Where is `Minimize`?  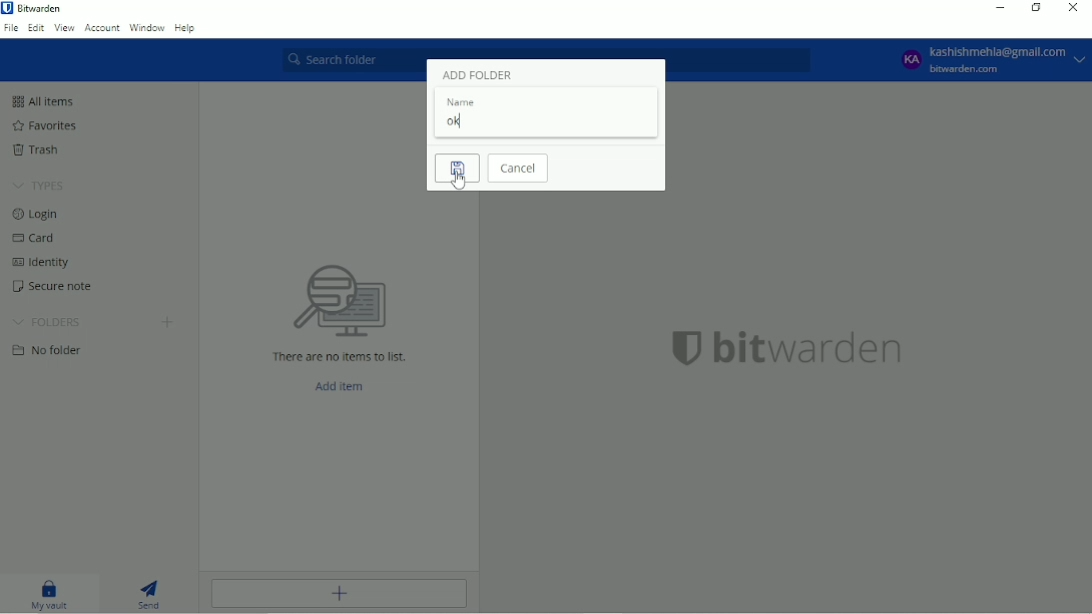
Minimize is located at coordinates (999, 8).